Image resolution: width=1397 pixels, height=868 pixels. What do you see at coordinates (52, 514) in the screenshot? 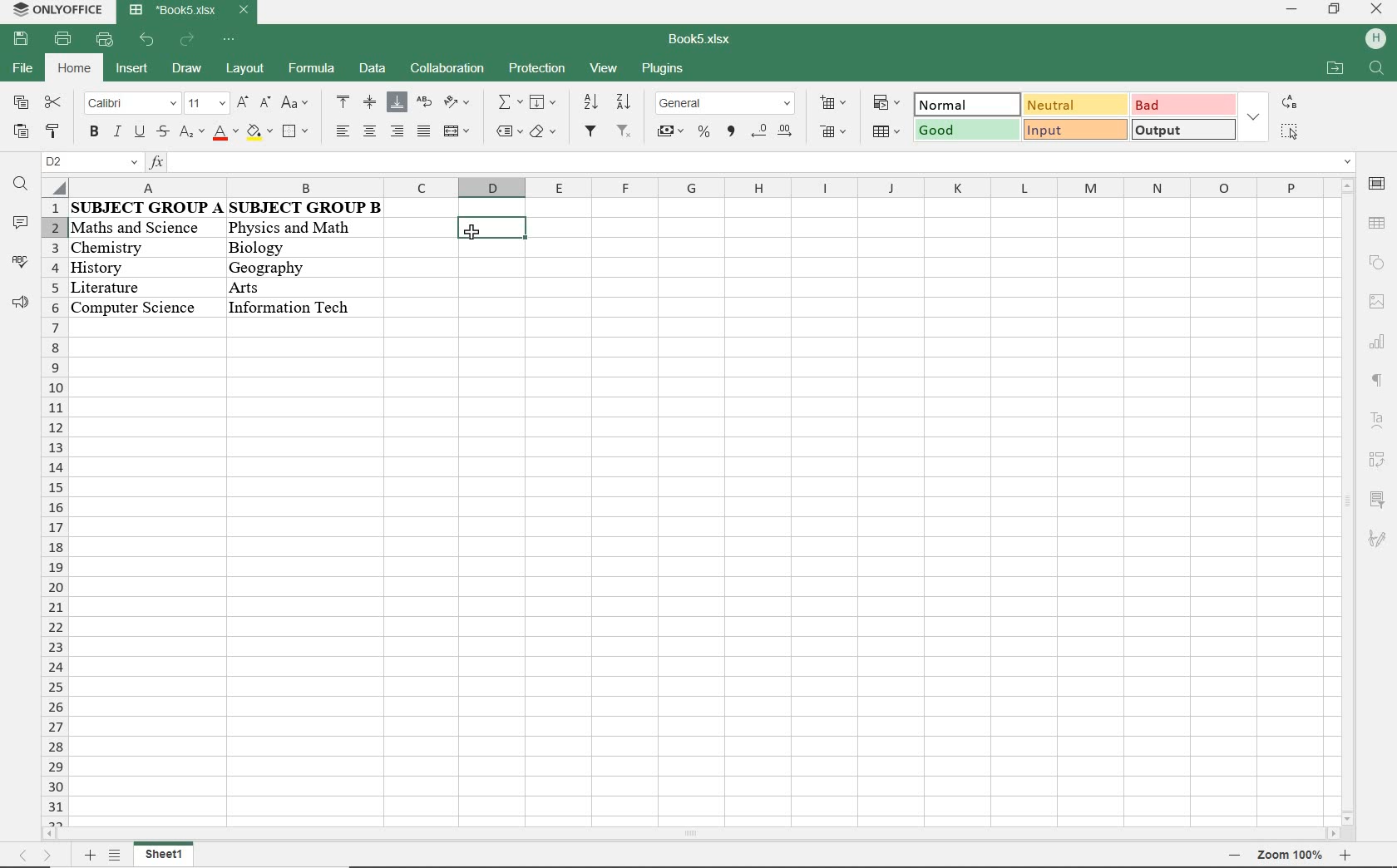
I see `rows` at bounding box center [52, 514].